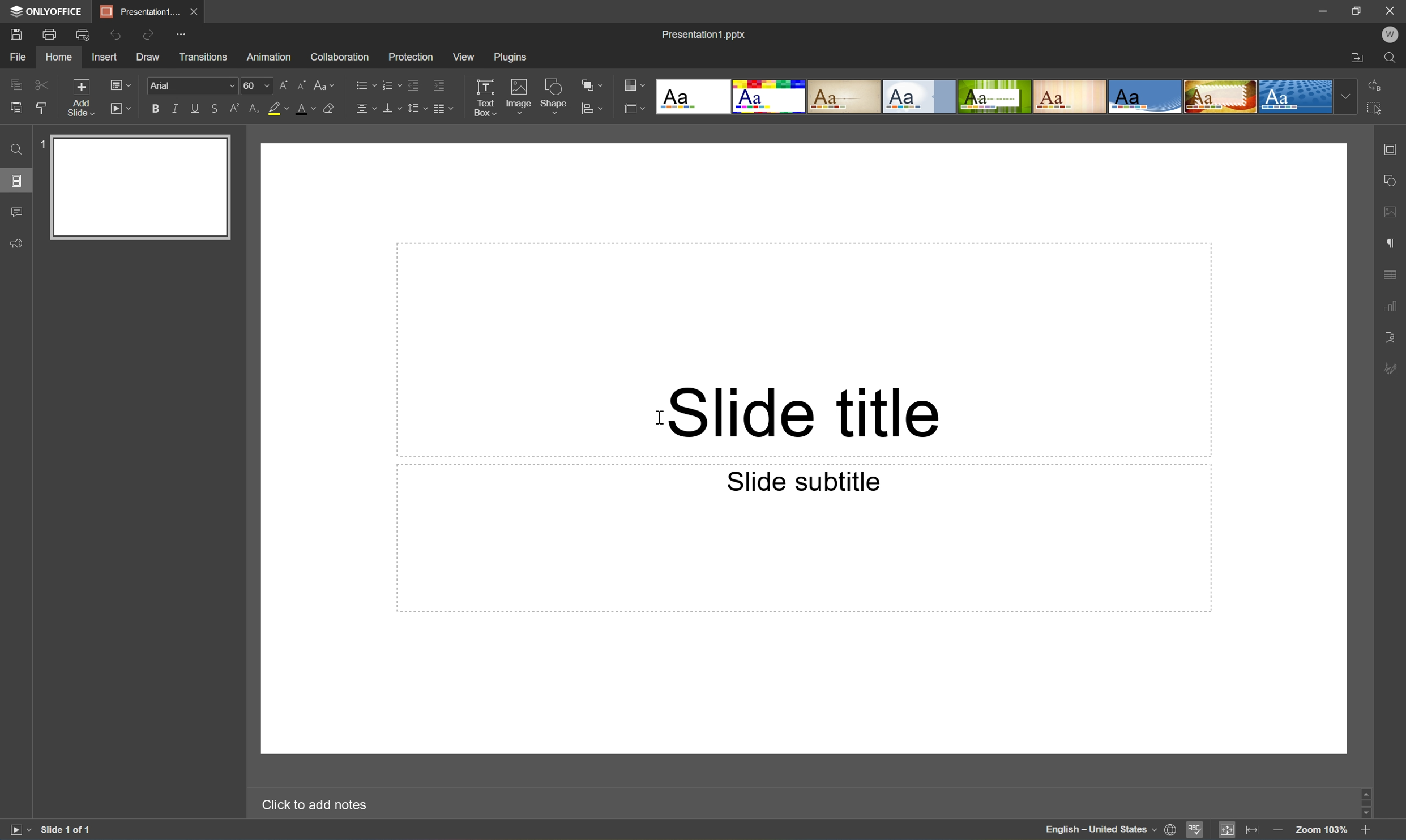 This screenshot has width=1406, height=840. Describe the element at coordinates (250, 84) in the screenshot. I see `60` at that location.